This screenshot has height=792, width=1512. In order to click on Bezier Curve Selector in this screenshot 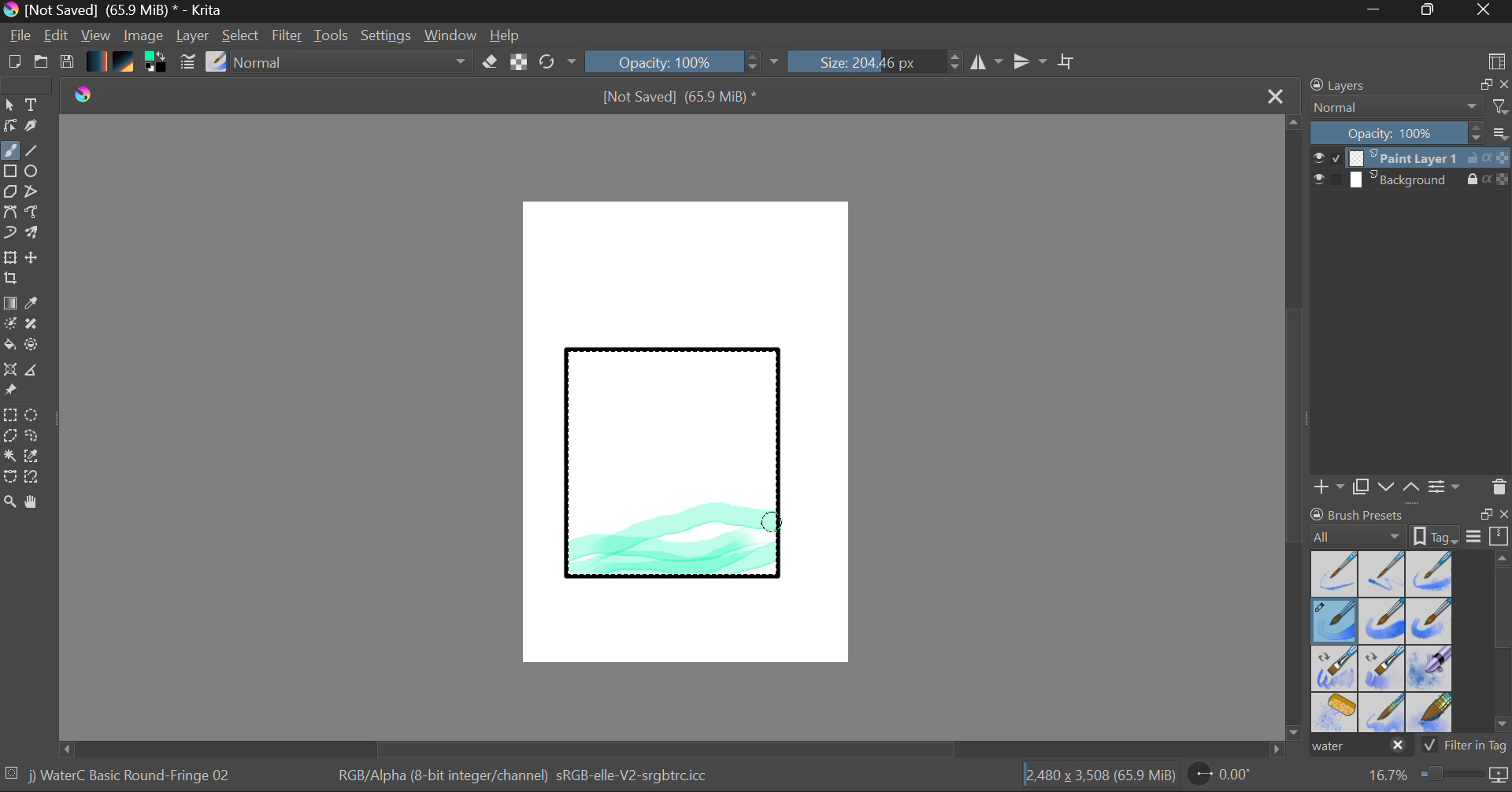, I will do `click(9, 478)`.